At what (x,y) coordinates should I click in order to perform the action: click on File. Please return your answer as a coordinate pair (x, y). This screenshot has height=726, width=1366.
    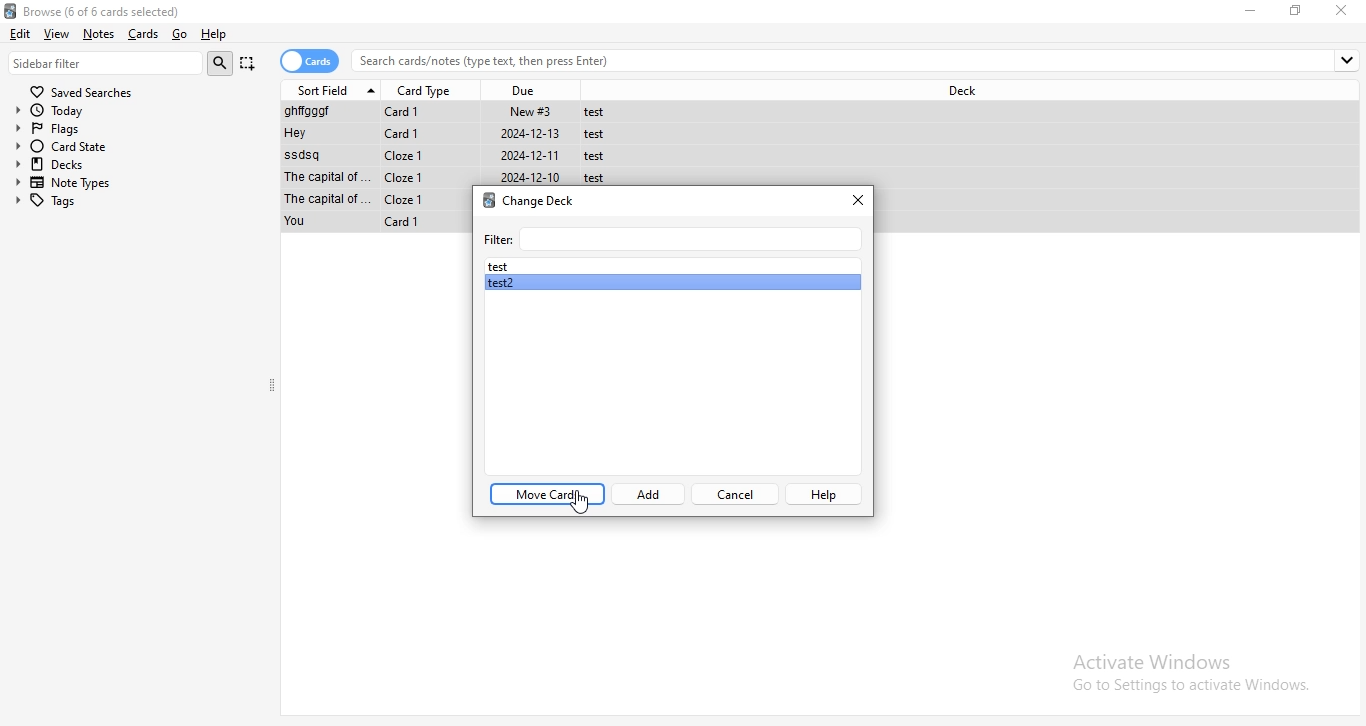
    Looking at the image, I should click on (455, 135).